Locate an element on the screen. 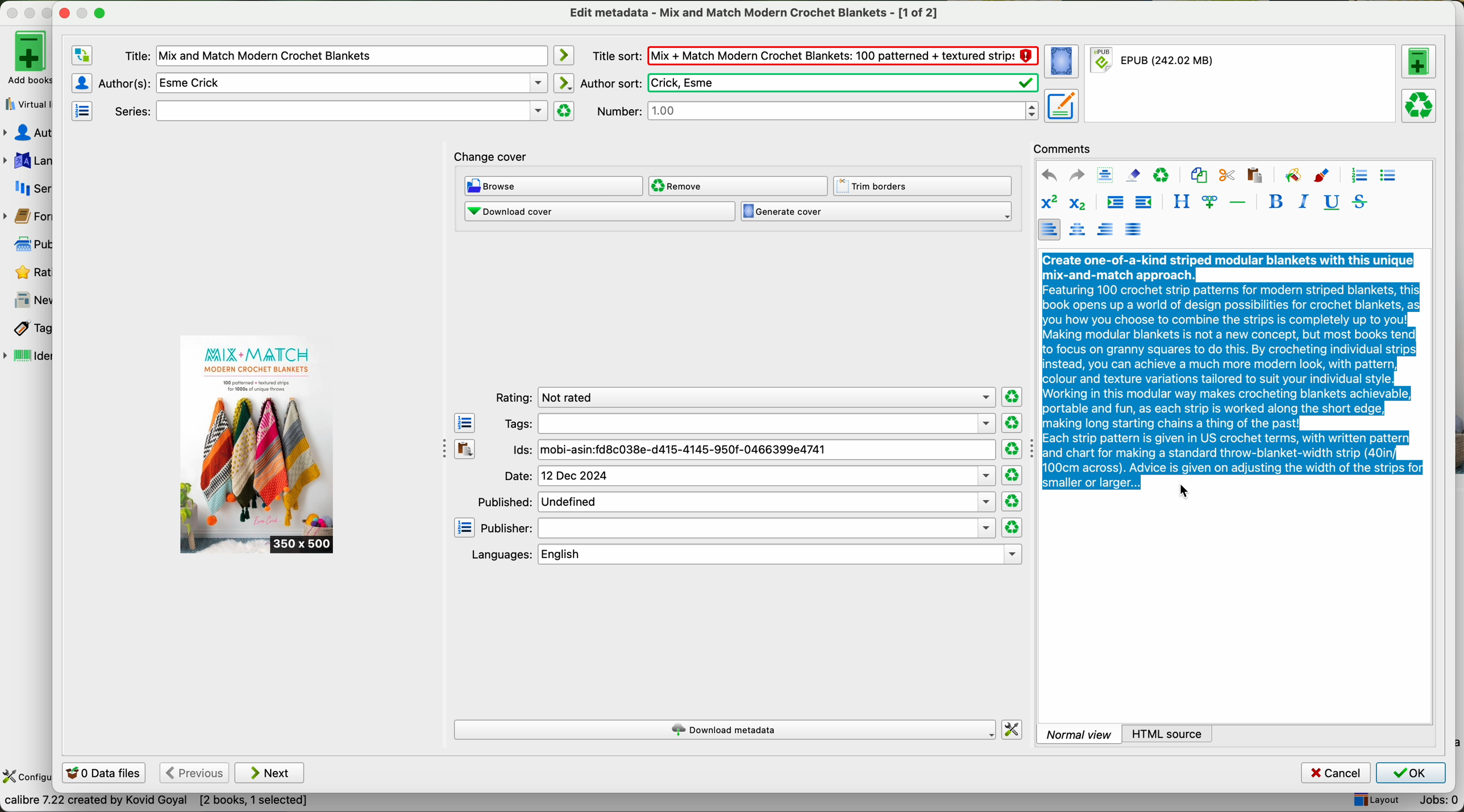  superscript is located at coordinates (1049, 203).